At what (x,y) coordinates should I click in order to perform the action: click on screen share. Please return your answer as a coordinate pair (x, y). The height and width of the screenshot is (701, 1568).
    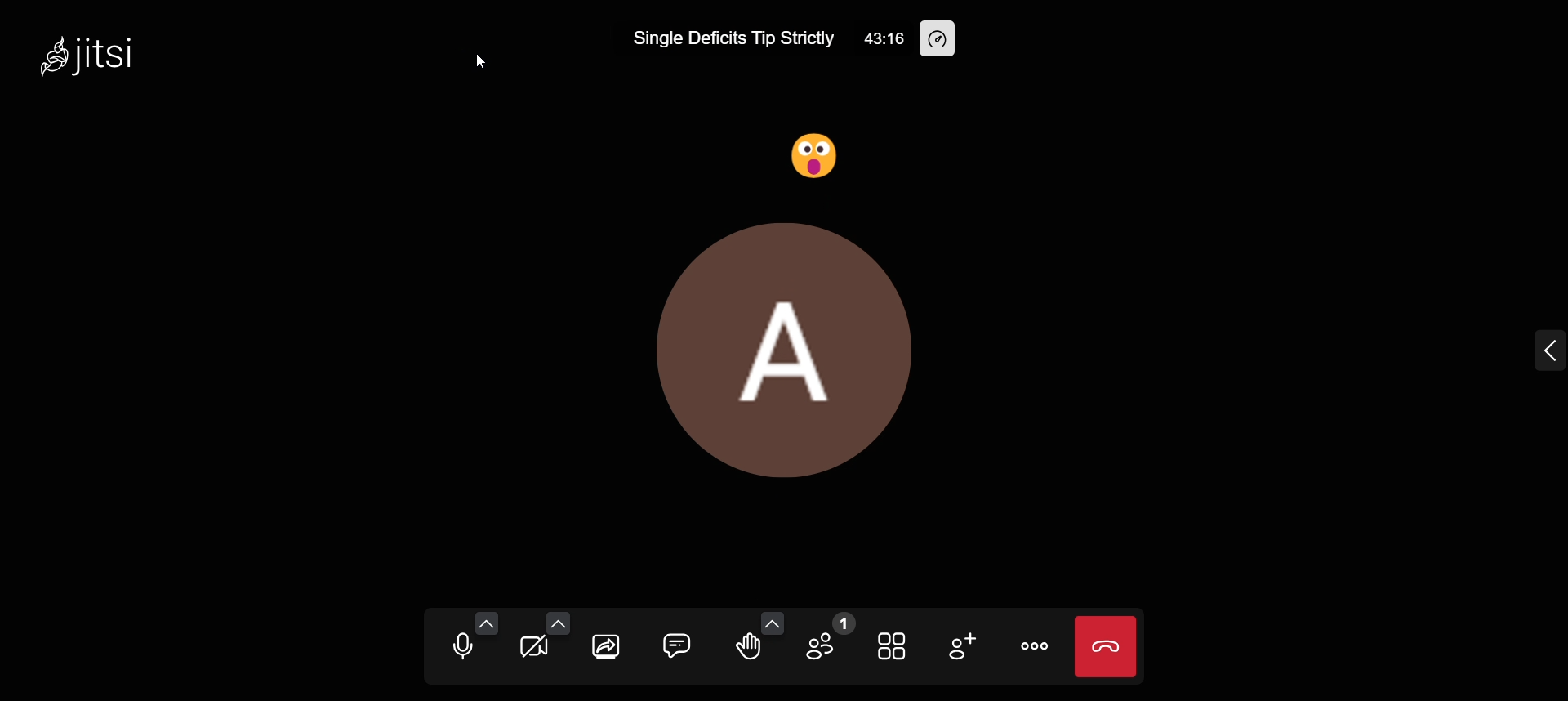
    Looking at the image, I should click on (607, 648).